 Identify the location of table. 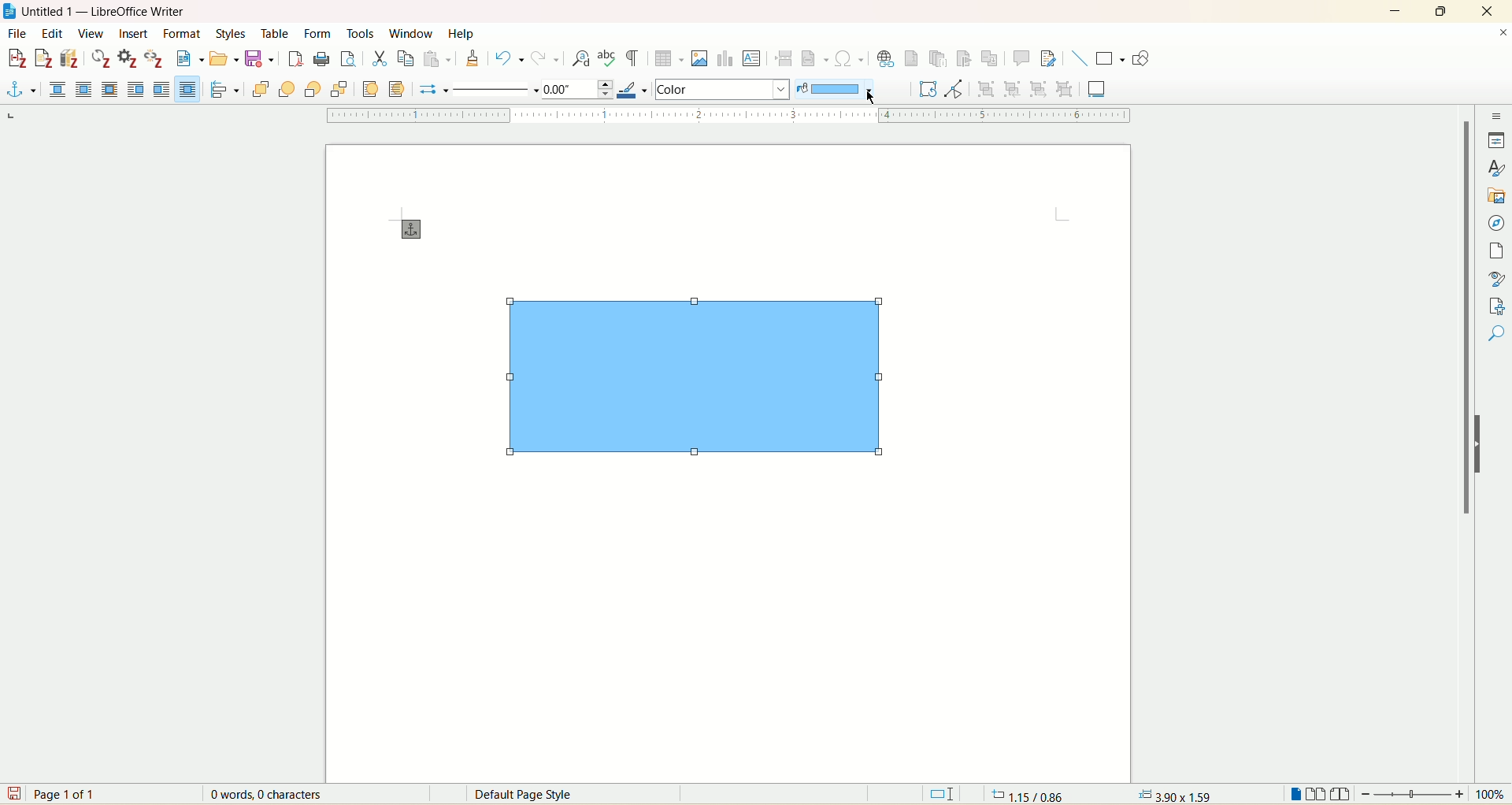
(276, 32).